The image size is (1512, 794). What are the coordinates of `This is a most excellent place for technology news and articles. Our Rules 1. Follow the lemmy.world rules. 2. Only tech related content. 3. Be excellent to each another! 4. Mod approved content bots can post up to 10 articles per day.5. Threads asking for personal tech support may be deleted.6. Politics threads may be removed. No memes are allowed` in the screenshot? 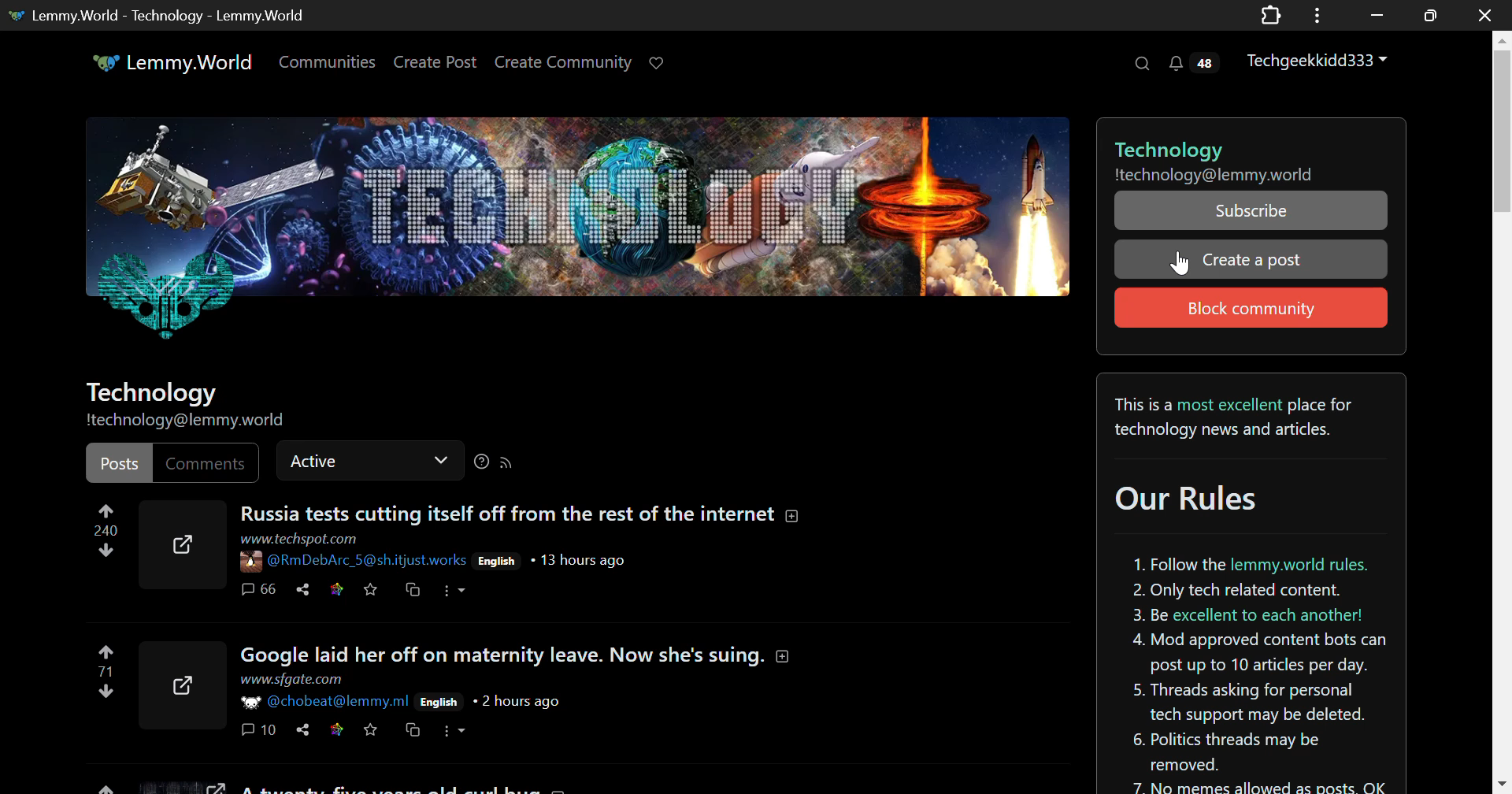 It's located at (1243, 584).